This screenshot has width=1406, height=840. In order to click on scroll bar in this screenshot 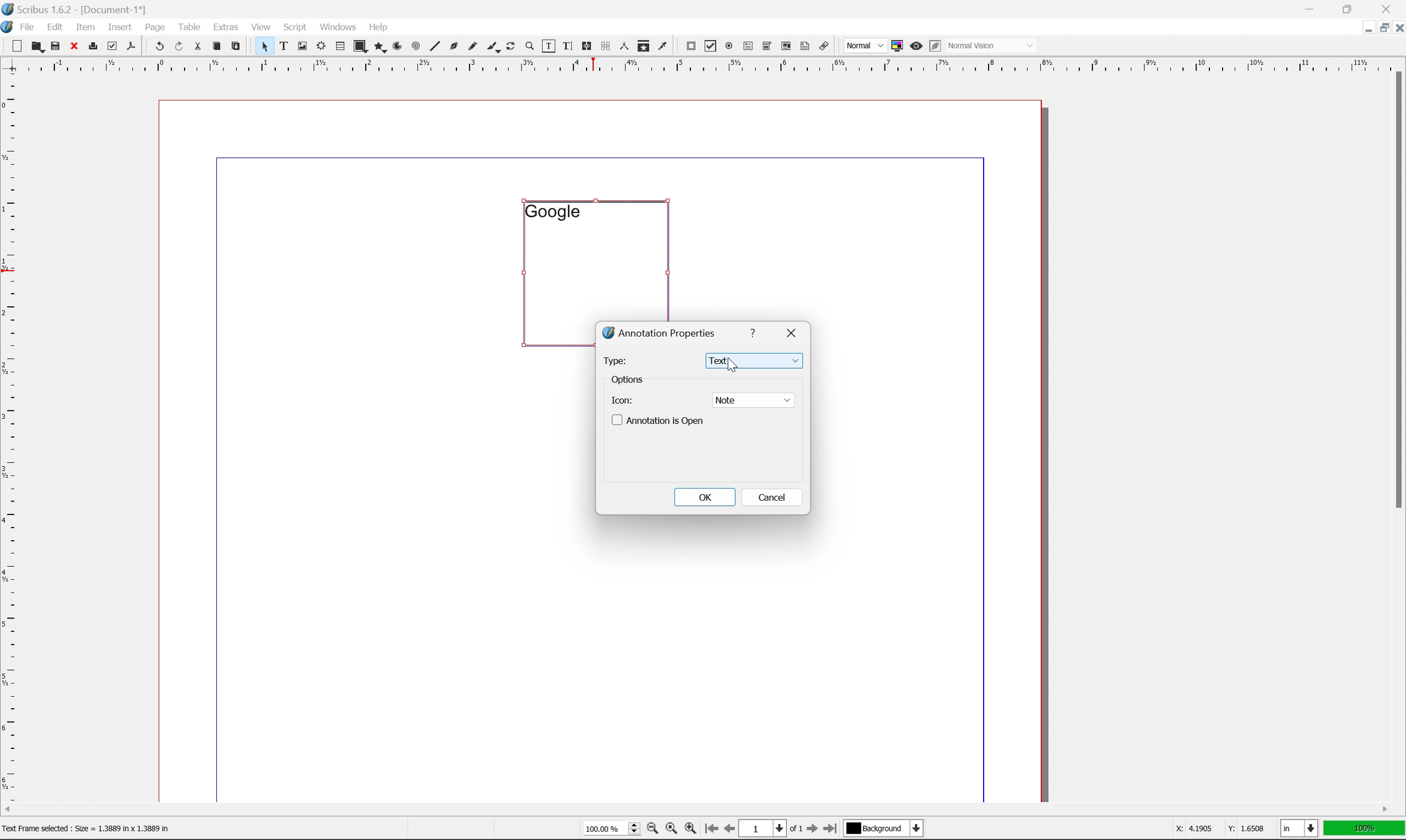, I will do `click(696, 809)`.